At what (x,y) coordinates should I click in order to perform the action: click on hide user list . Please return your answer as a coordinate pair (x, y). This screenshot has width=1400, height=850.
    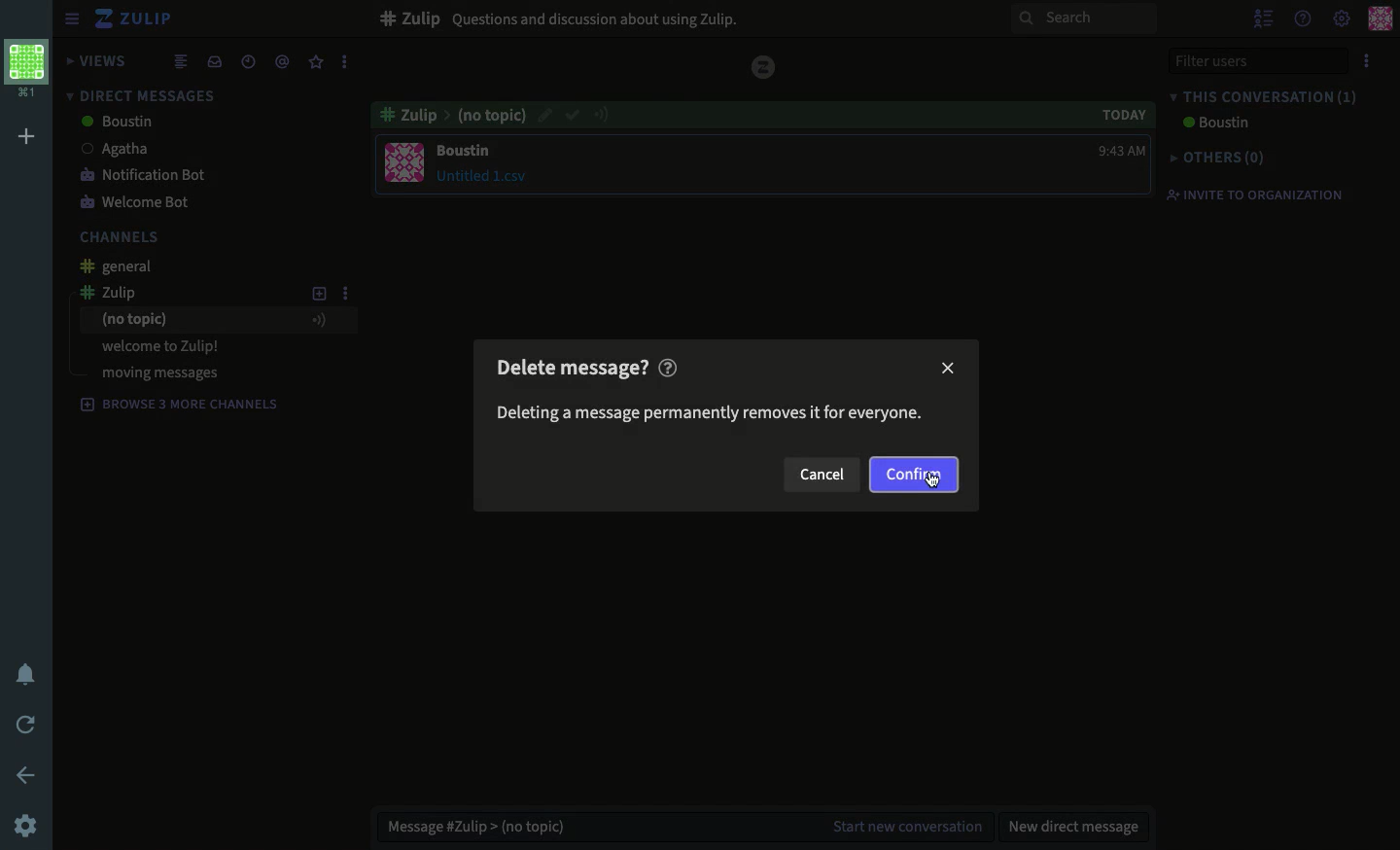
    Looking at the image, I should click on (1266, 18).